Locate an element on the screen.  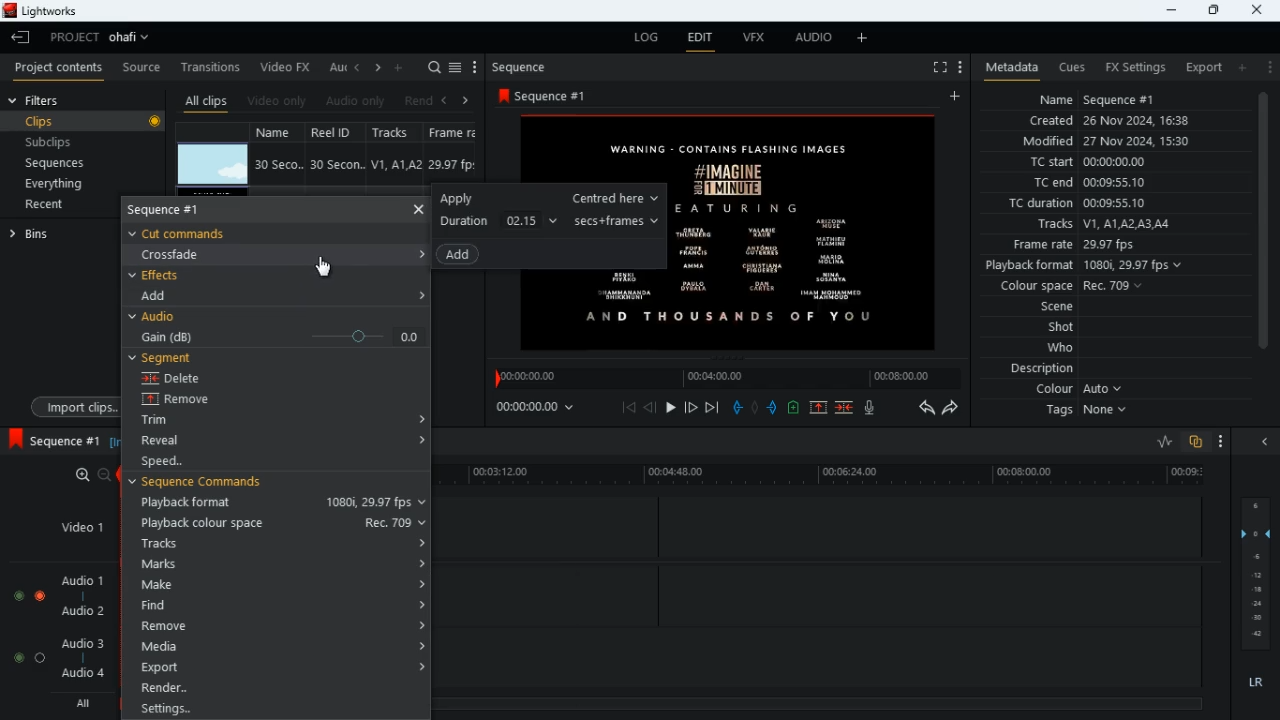
shot is located at coordinates (1063, 329).